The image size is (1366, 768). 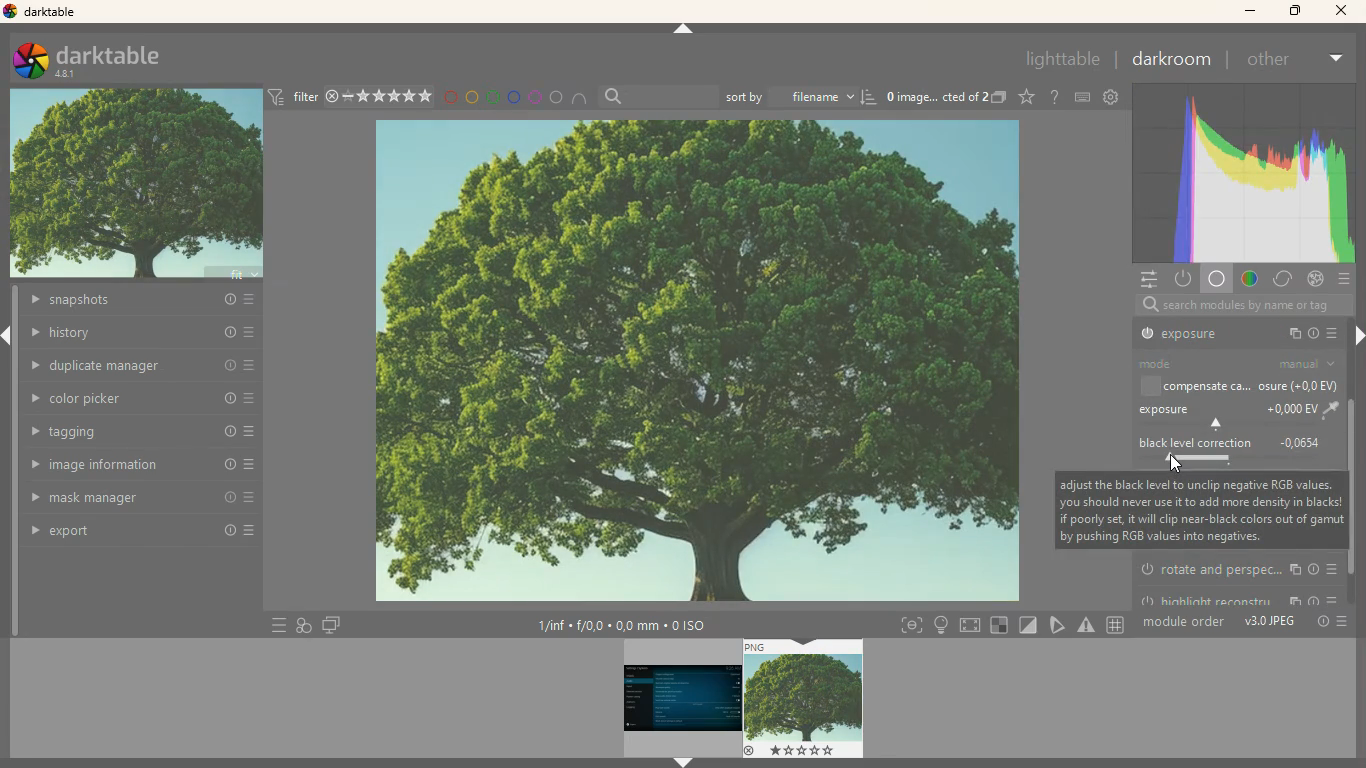 I want to click on black level correction, so click(x=1235, y=450).